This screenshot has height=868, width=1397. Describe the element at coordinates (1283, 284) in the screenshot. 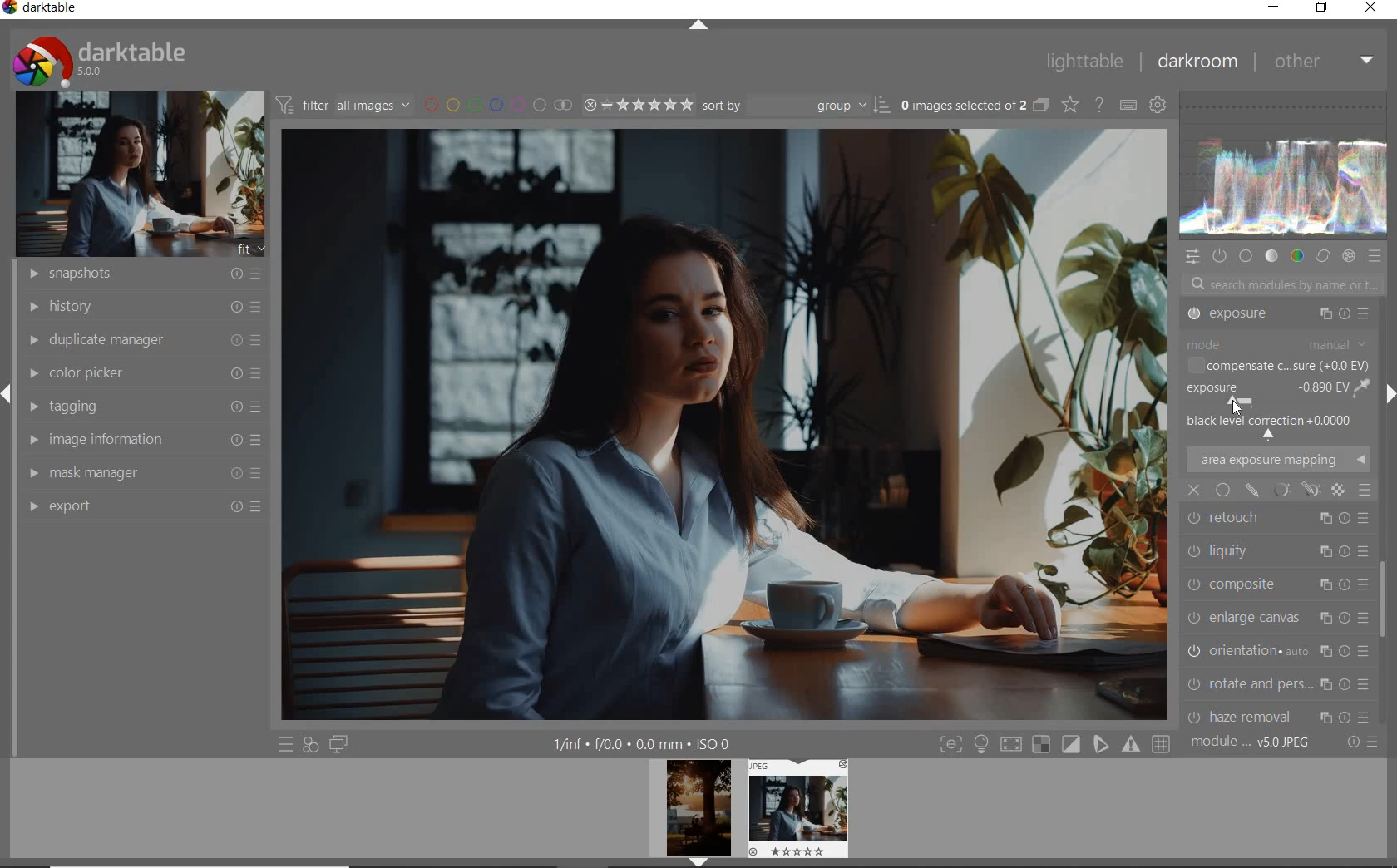

I see `SEARCH MODULES` at that location.